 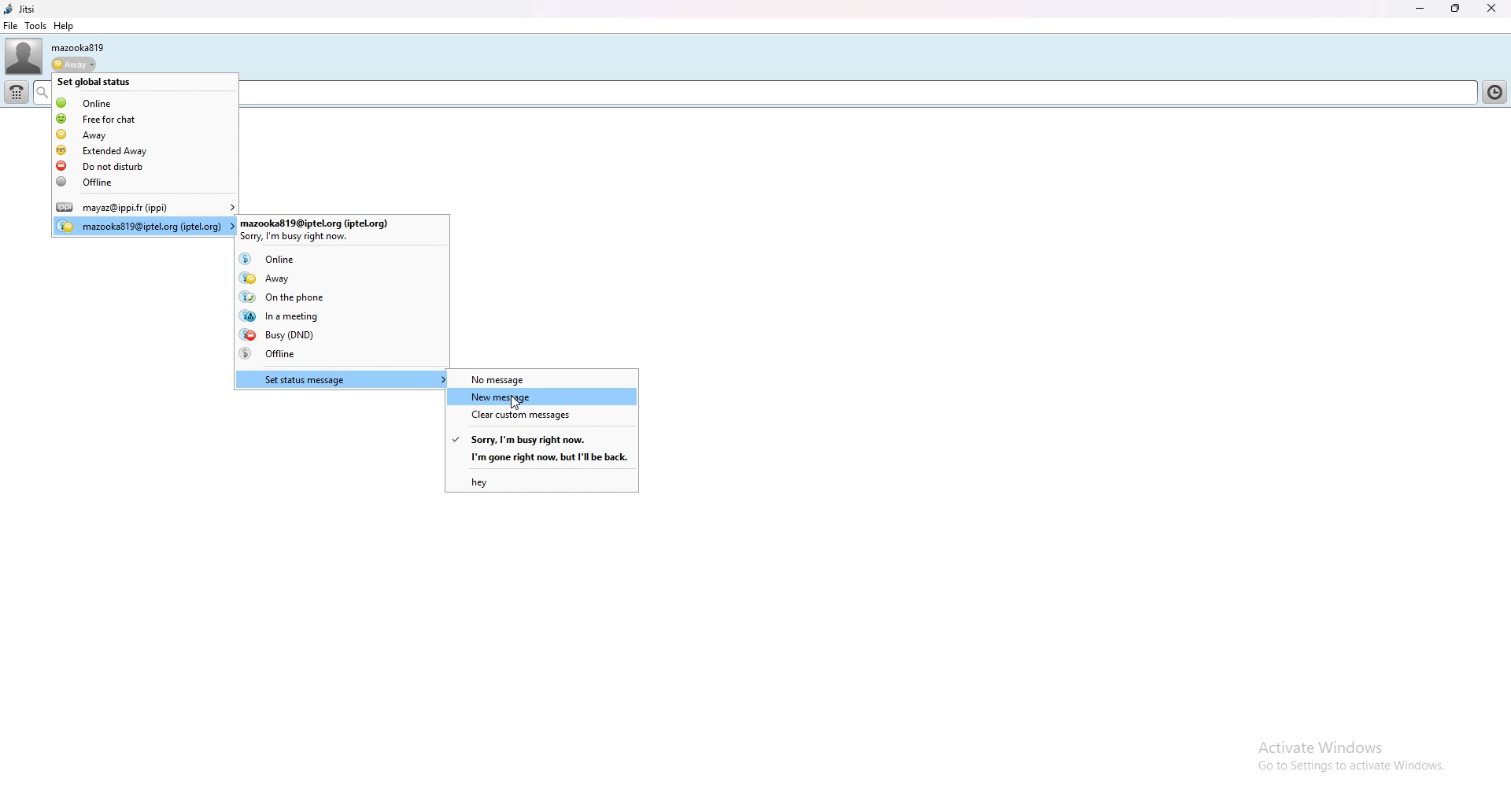 I want to click on active wwindows go to settings to achieve windows, so click(x=1335, y=758).